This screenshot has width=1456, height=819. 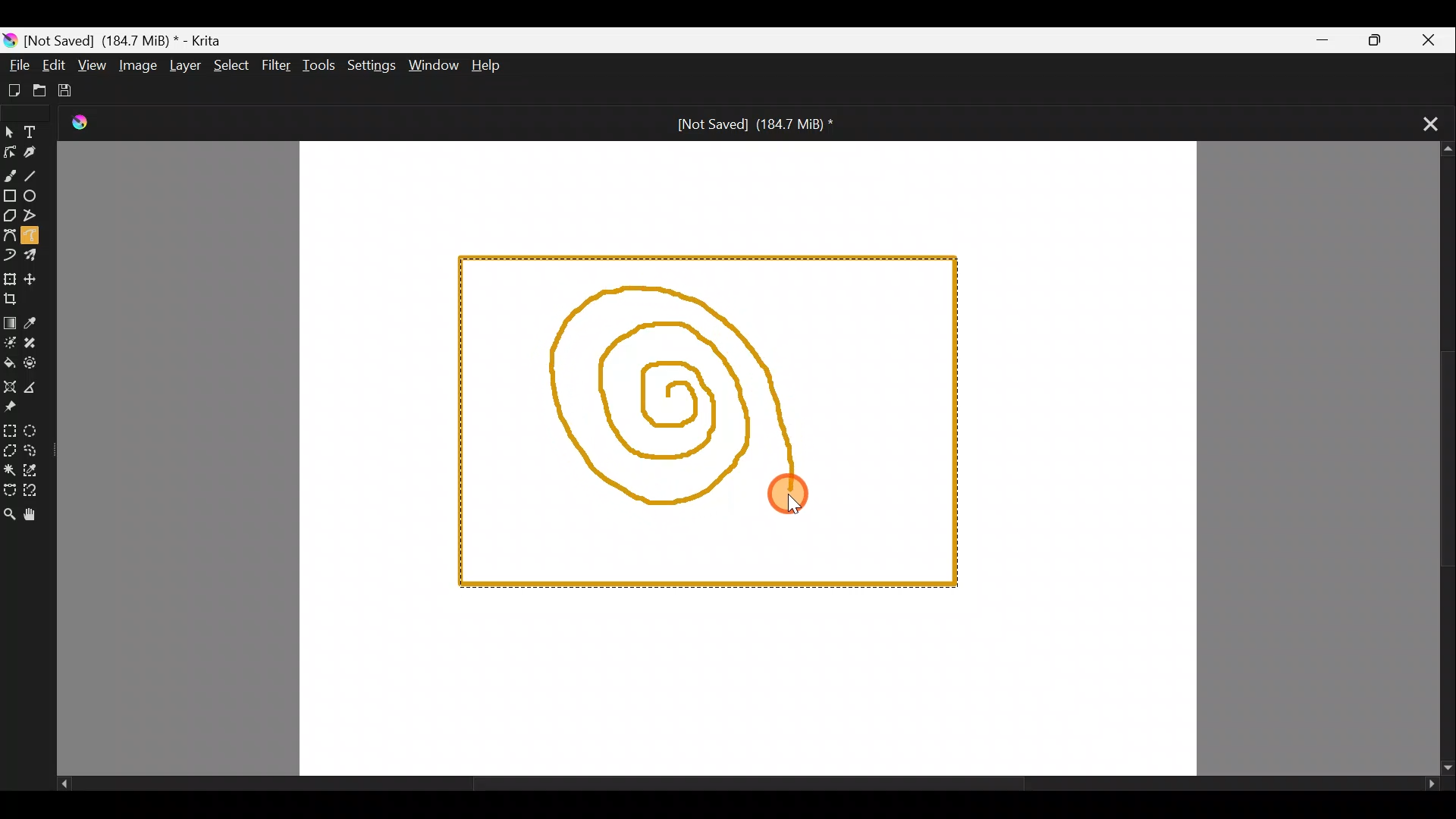 I want to click on Spiral shape being drawn on canvas, so click(x=693, y=392).